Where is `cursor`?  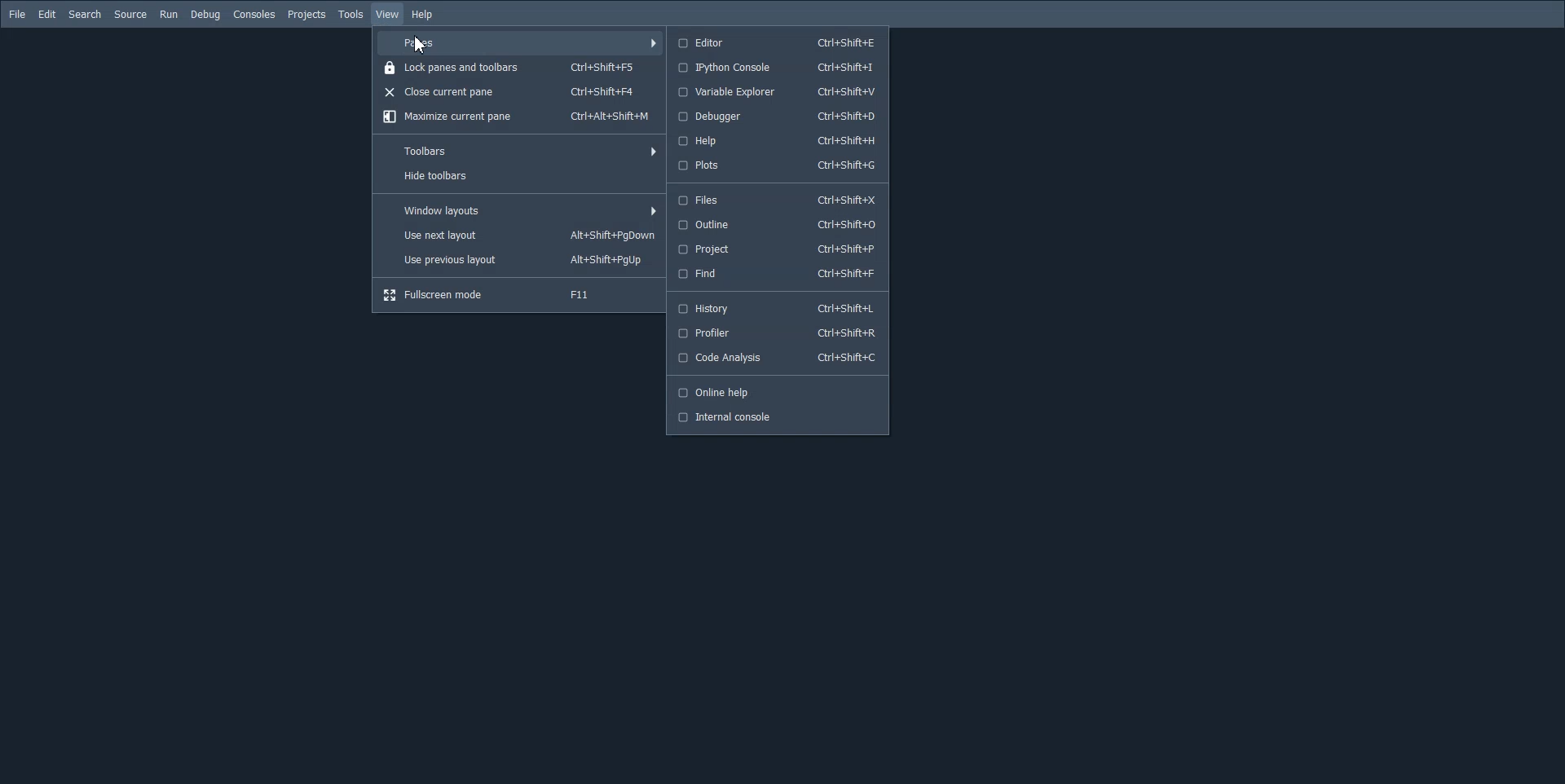
cursor is located at coordinates (423, 46).